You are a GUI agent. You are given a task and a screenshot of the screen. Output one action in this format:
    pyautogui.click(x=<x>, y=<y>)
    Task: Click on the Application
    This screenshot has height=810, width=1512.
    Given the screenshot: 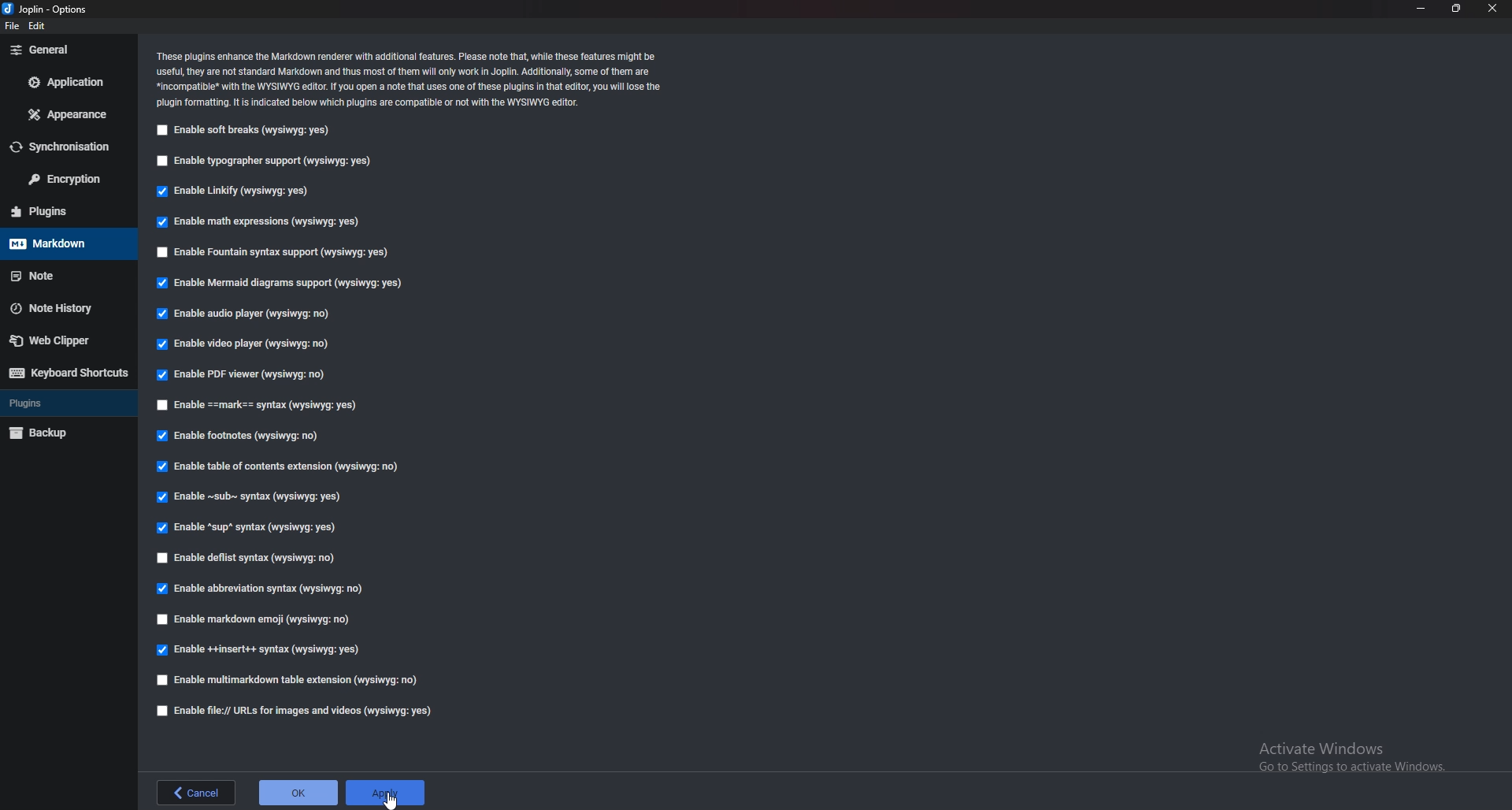 What is the action you would take?
    pyautogui.click(x=72, y=82)
    